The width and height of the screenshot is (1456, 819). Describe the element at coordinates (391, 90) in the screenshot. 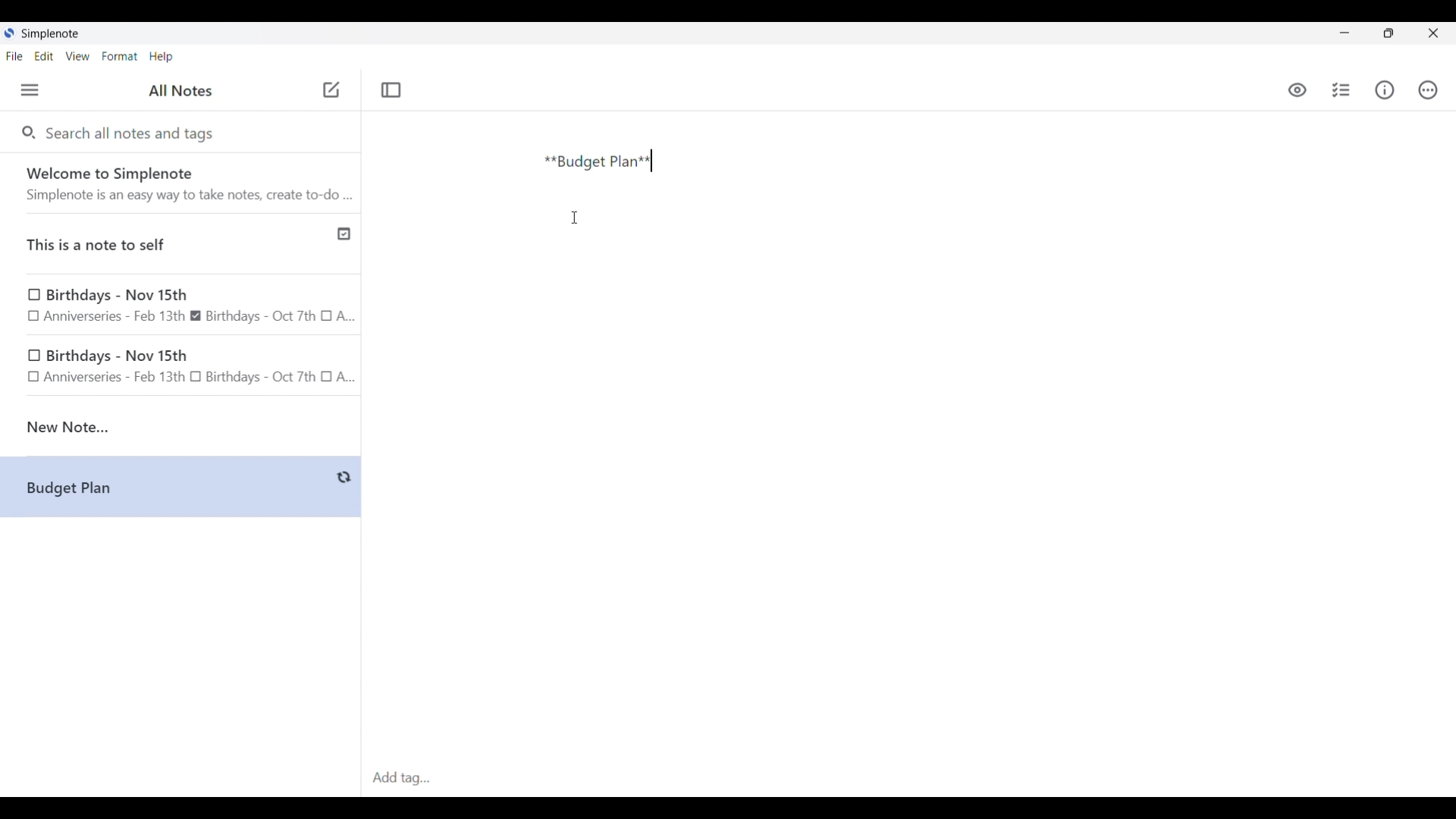

I see `Toggle focus mode` at that location.